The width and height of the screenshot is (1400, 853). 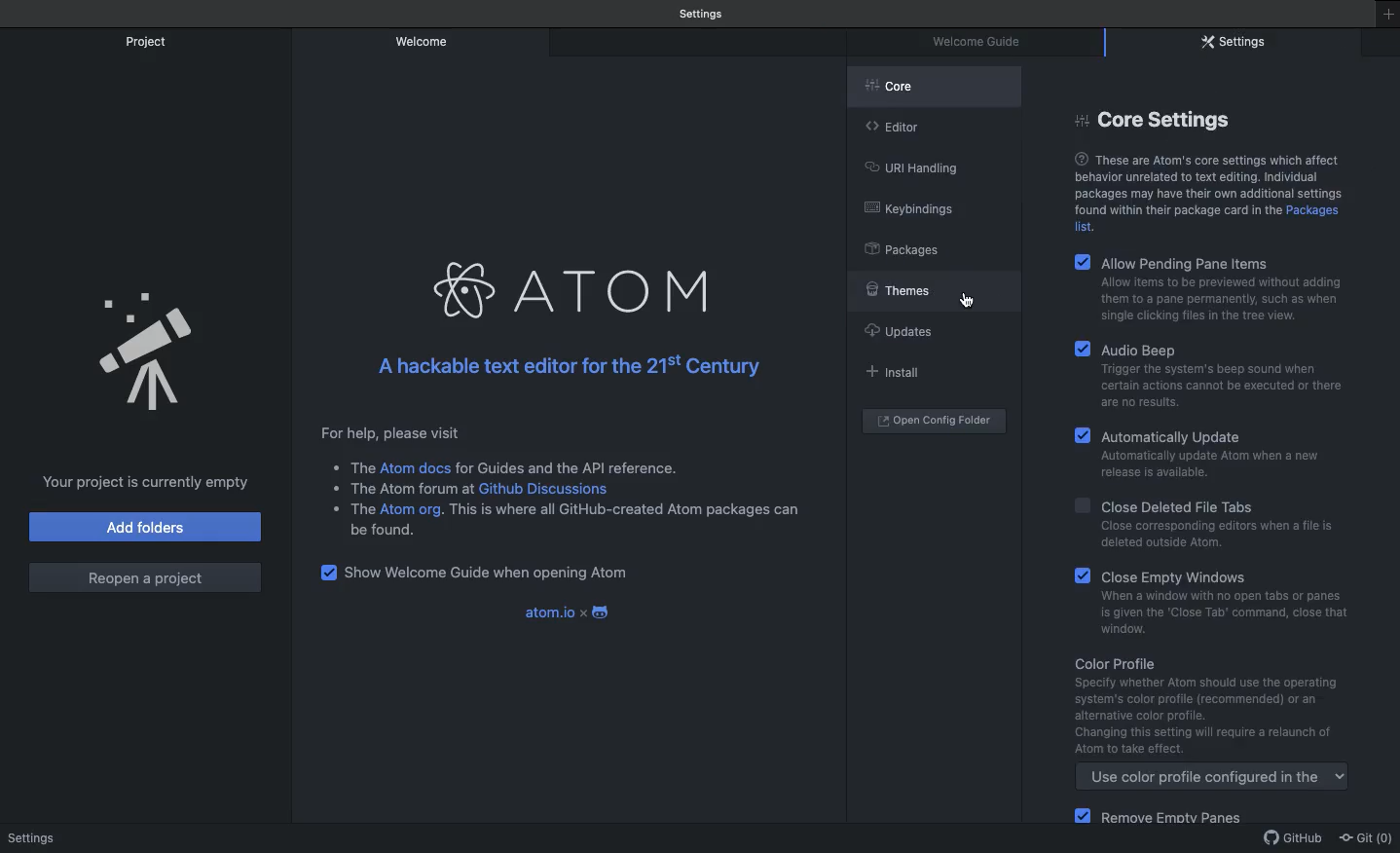 What do you see at coordinates (327, 574) in the screenshot?
I see `checkbox` at bounding box center [327, 574].